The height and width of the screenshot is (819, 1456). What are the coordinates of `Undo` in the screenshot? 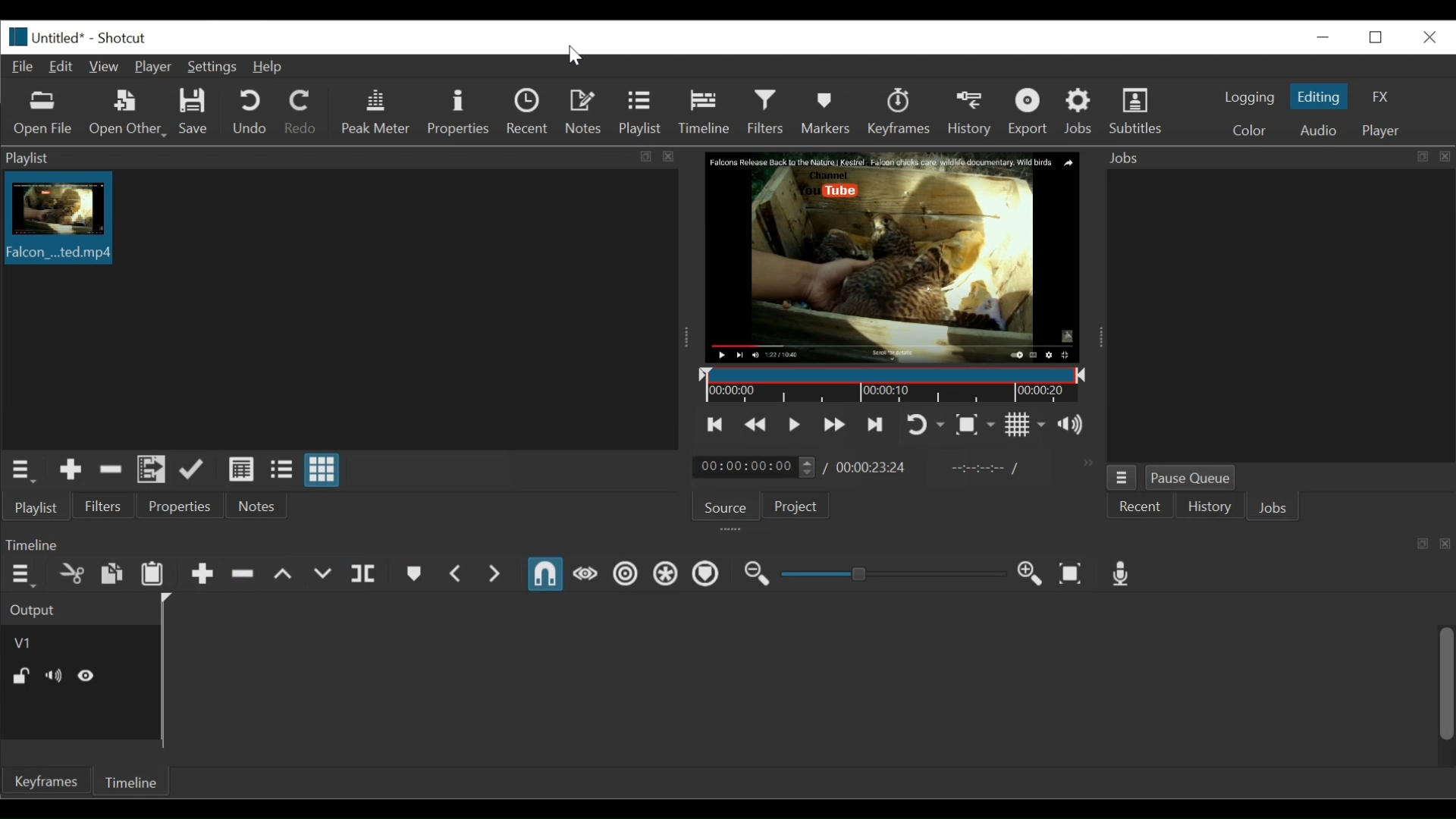 It's located at (253, 112).